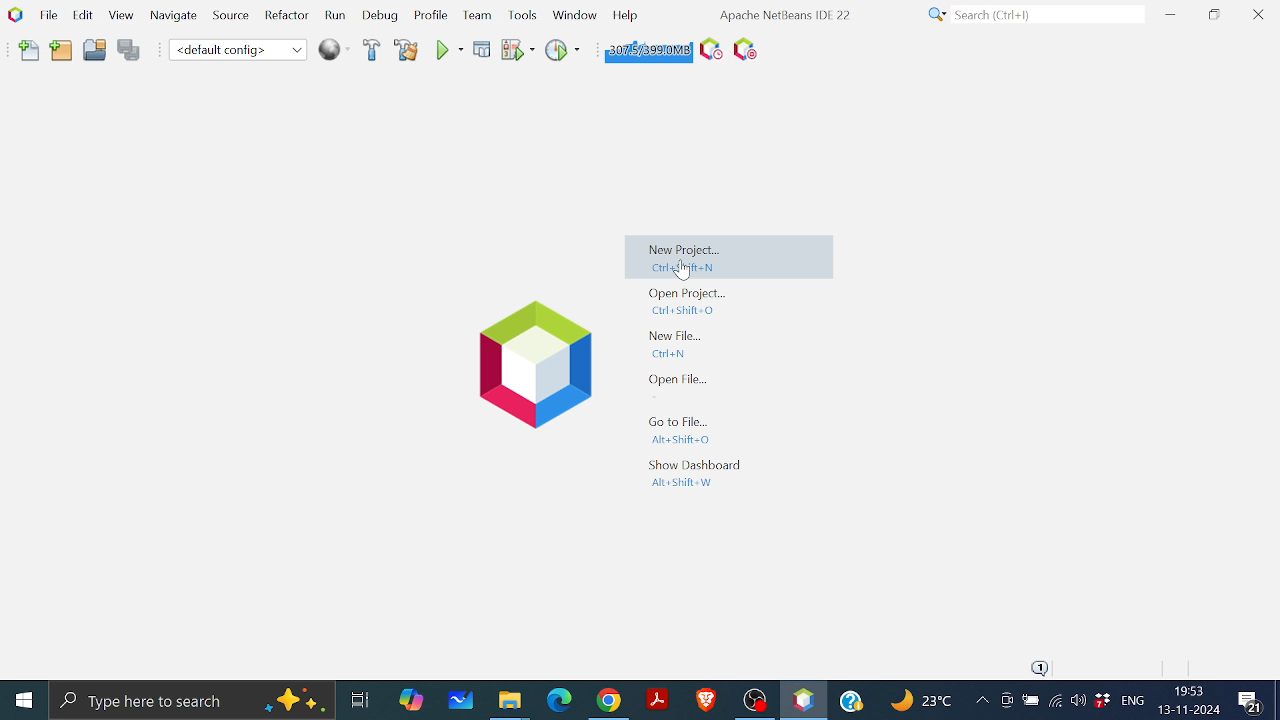  Describe the element at coordinates (1214, 14) in the screenshot. I see `Restore down` at that location.